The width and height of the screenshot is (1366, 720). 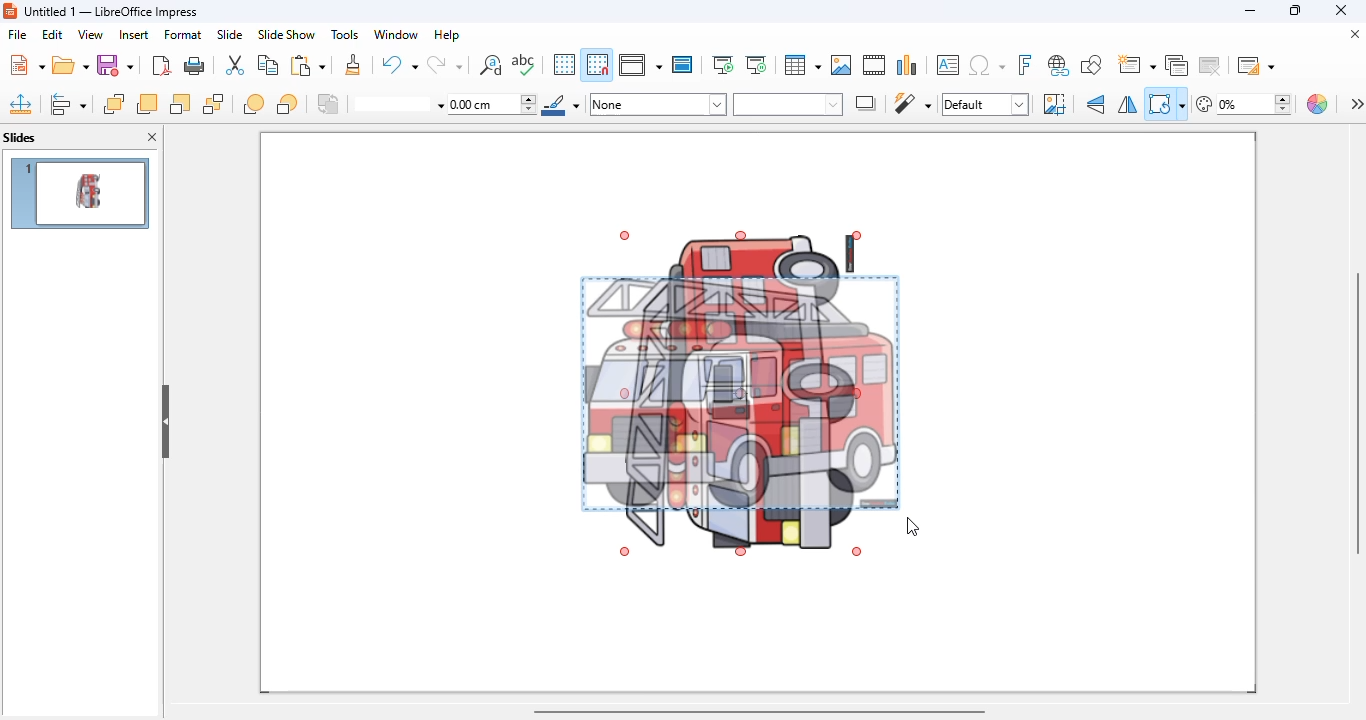 I want to click on vertically, so click(x=1097, y=104).